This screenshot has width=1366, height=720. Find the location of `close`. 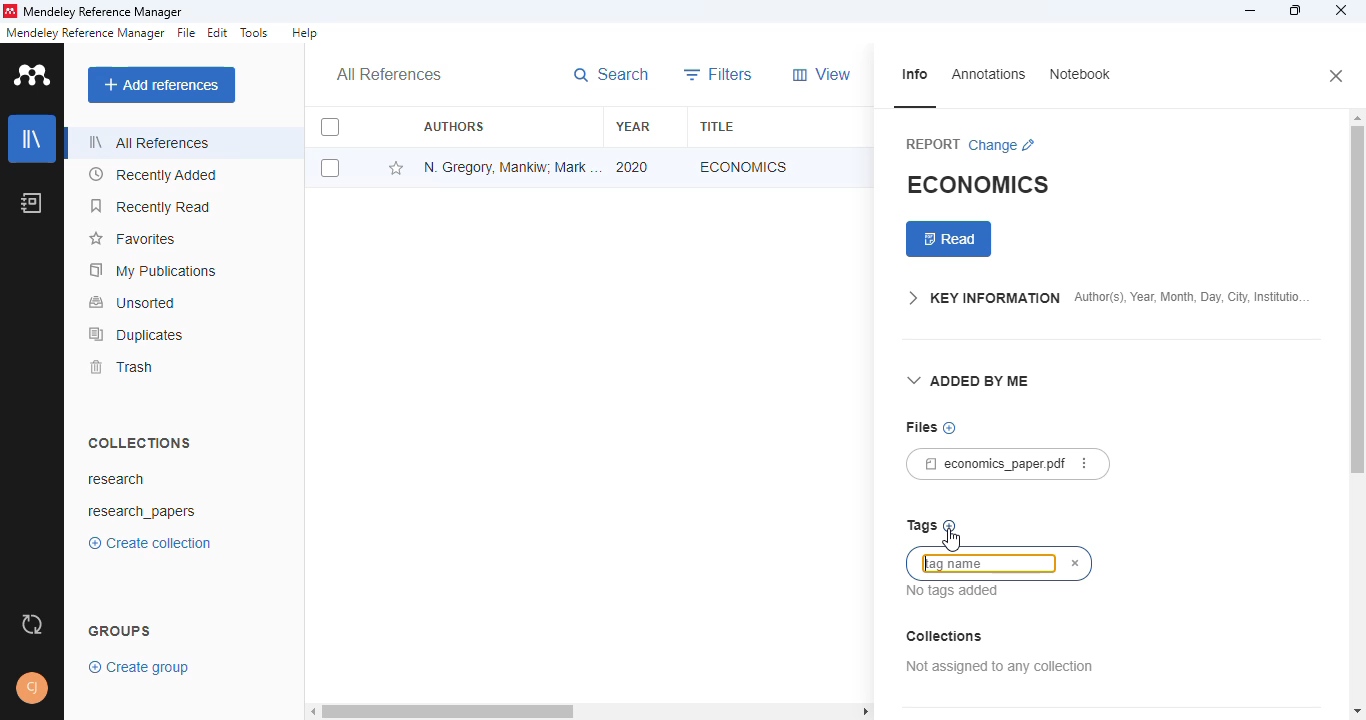

close is located at coordinates (1341, 10).